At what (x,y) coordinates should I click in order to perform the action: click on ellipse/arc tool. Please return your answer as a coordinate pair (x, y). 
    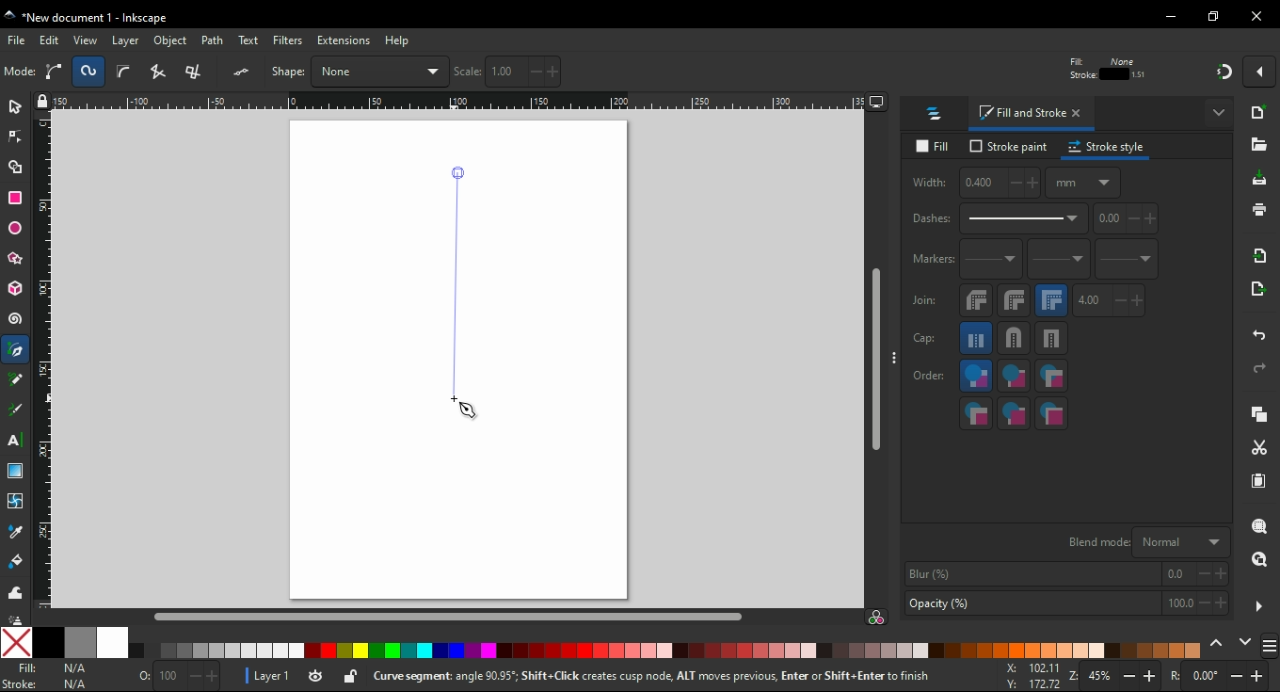
    Looking at the image, I should click on (18, 229).